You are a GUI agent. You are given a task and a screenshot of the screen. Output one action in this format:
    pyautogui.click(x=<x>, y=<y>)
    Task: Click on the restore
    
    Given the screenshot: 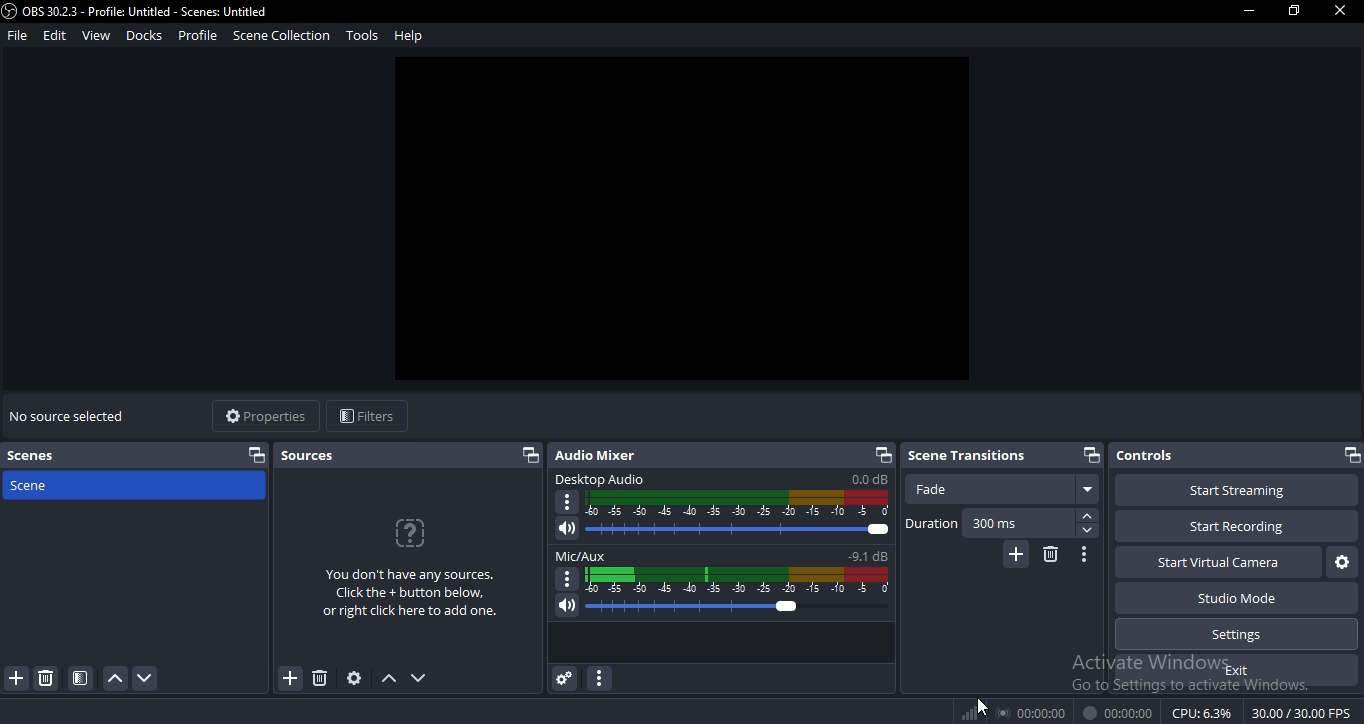 What is the action you would take?
    pyautogui.click(x=1350, y=455)
    